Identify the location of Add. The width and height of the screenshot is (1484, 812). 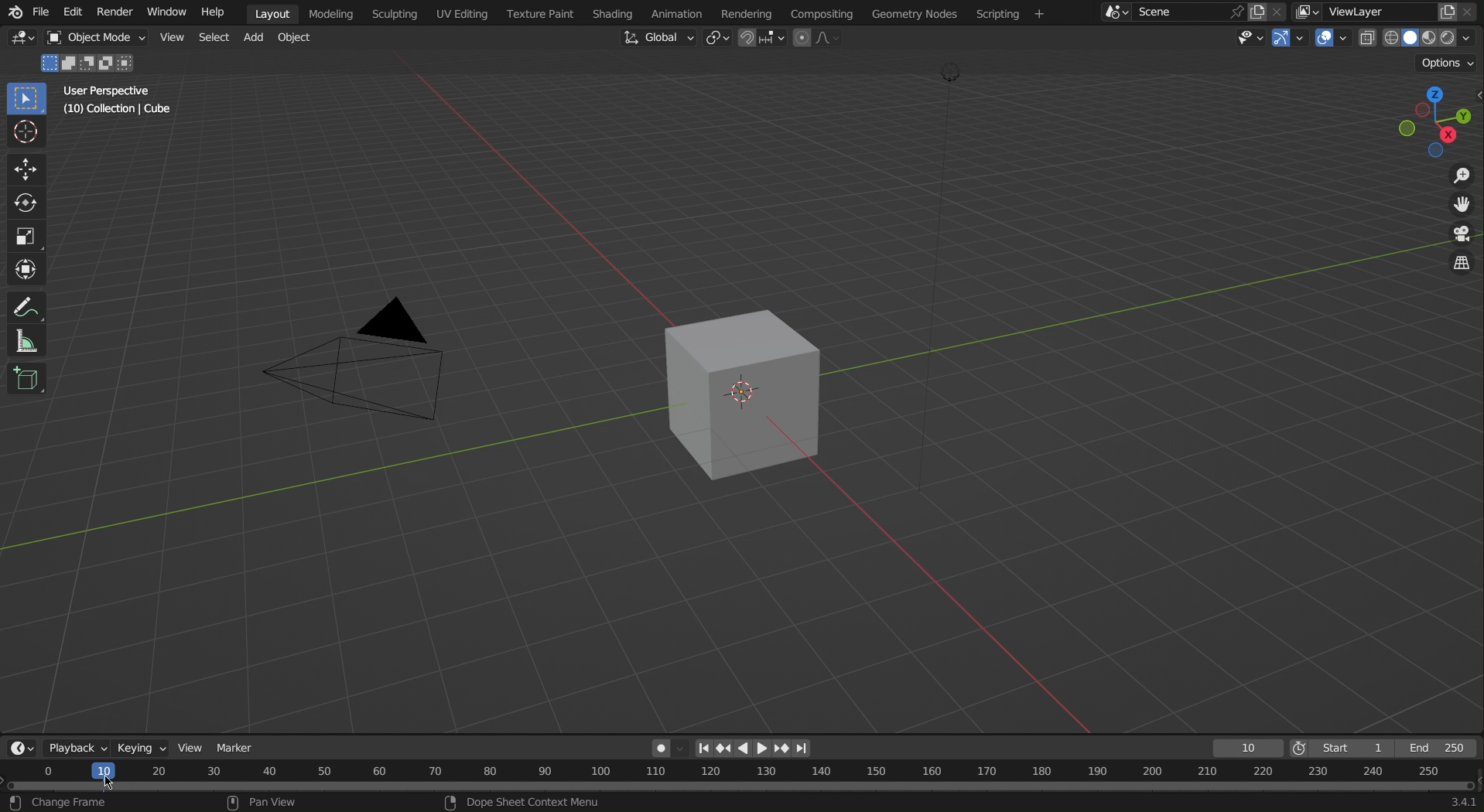
(259, 38).